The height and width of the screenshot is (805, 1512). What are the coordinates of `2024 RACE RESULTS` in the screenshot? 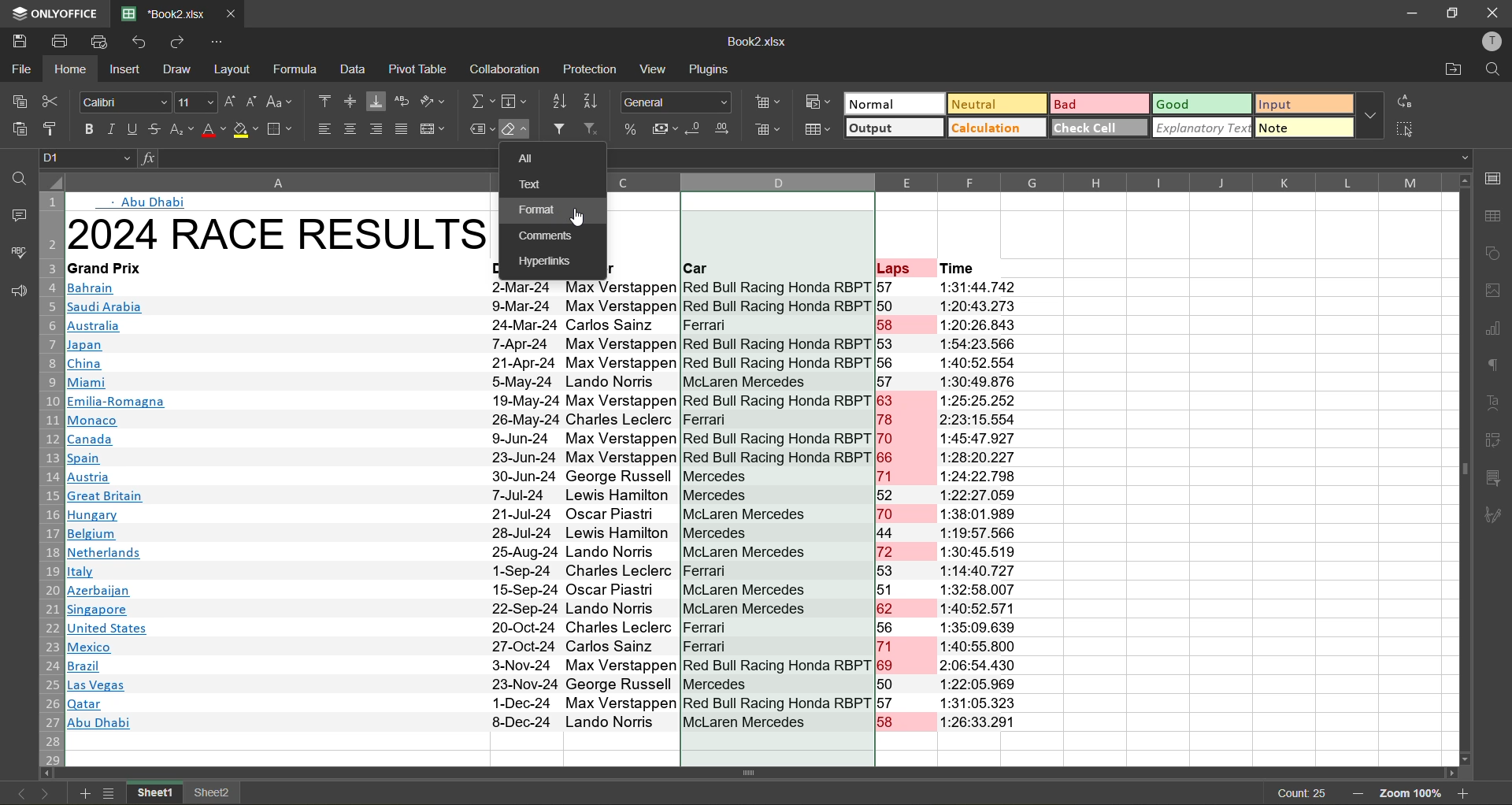 It's located at (279, 233).